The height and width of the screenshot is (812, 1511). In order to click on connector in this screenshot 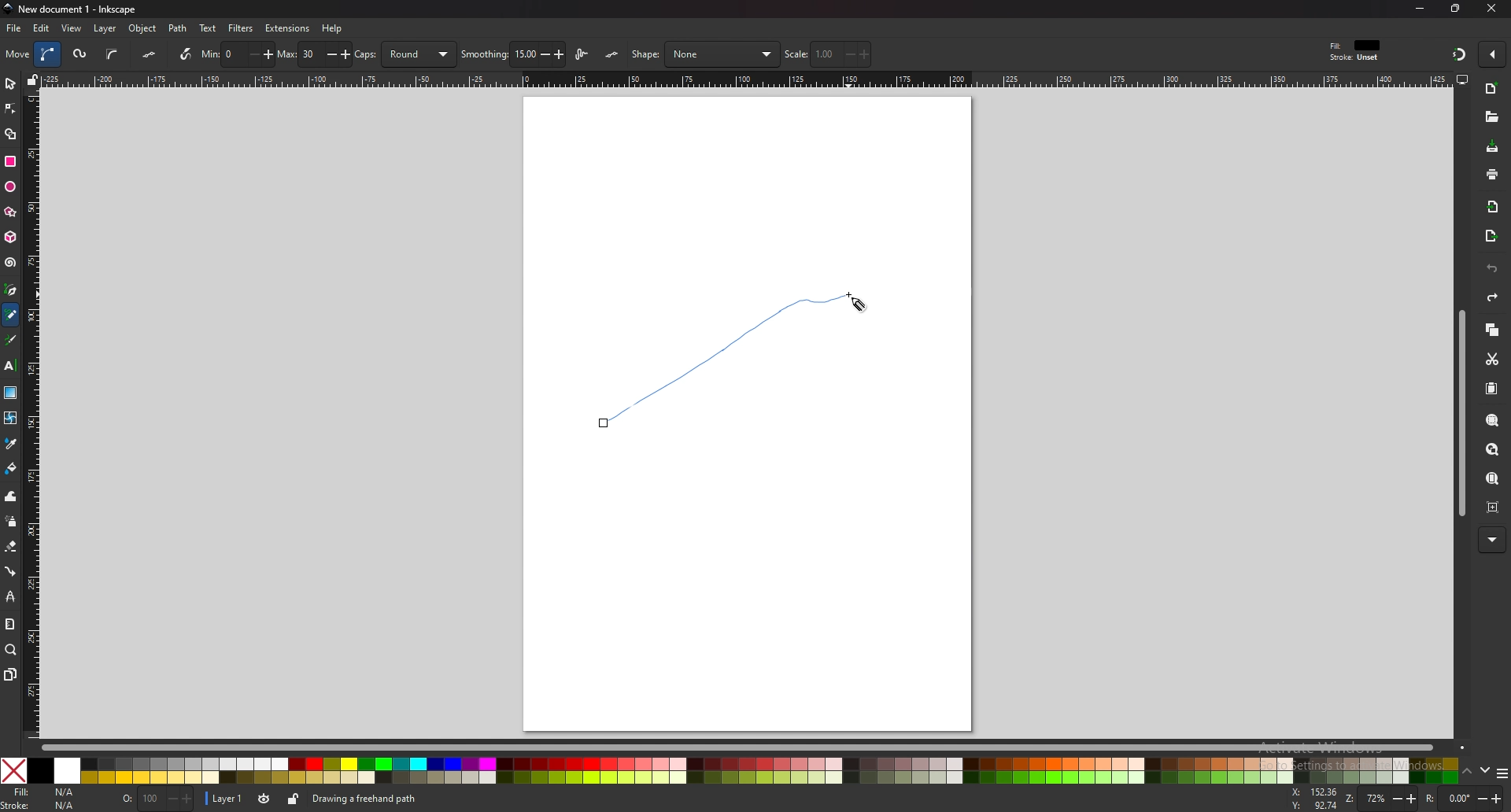, I will do `click(10, 571)`.